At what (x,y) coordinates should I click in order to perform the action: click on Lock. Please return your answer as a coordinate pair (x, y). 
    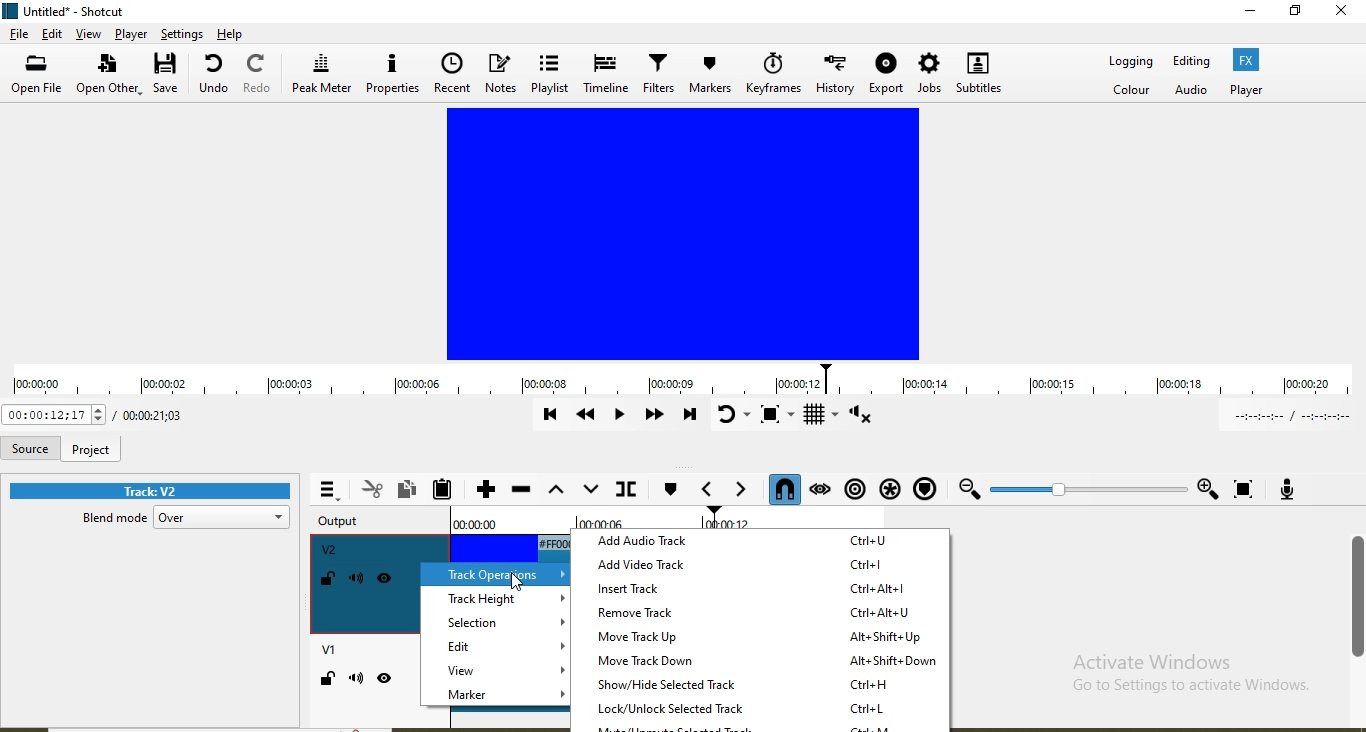
    Looking at the image, I should click on (327, 680).